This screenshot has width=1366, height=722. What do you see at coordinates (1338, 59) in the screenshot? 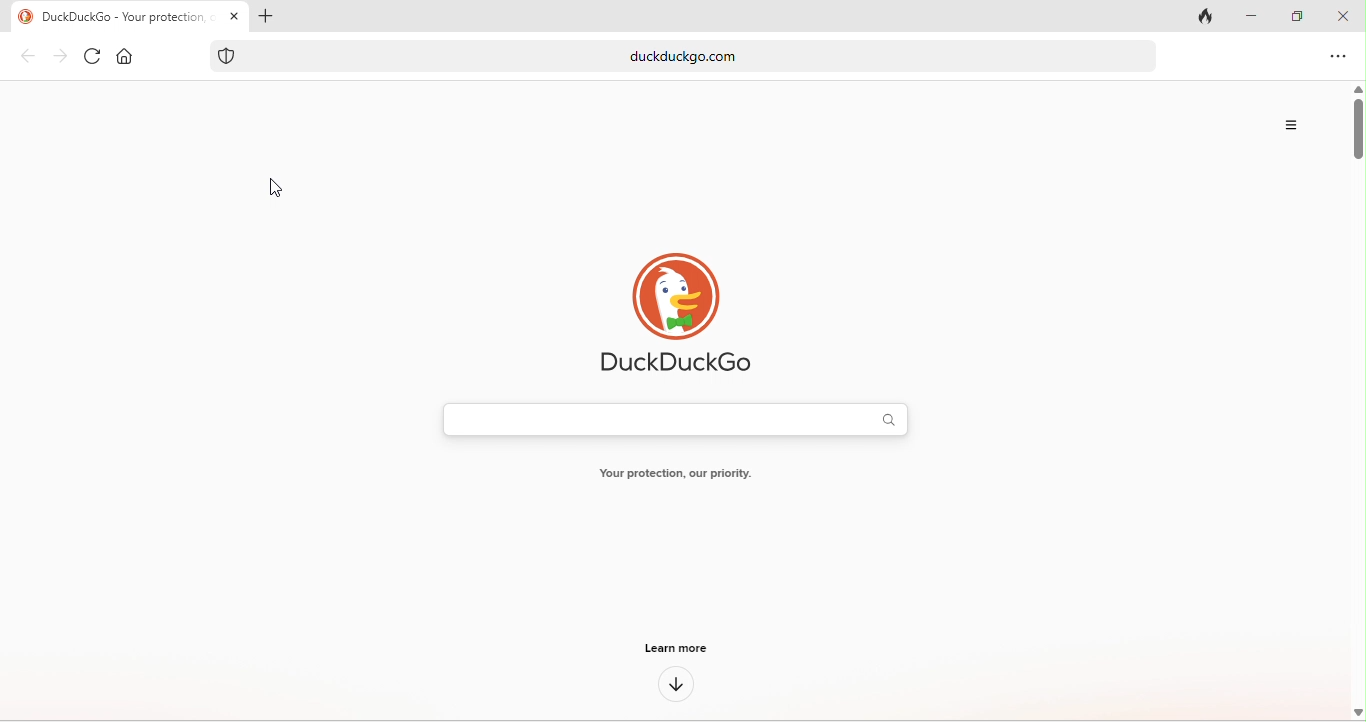
I see `option` at bounding box center [1338, 59].